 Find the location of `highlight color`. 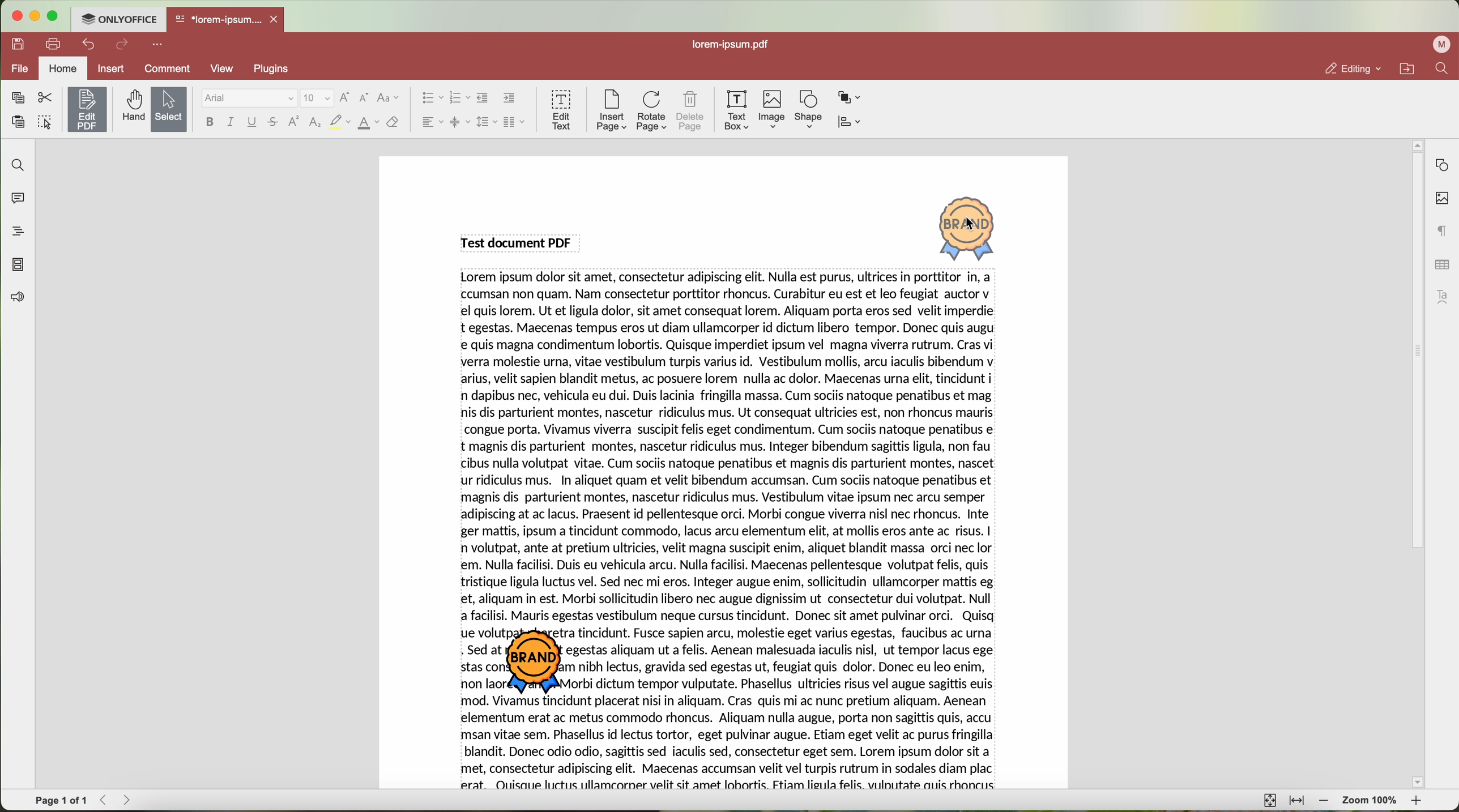

highlight color is located at coordinates (339, 123).